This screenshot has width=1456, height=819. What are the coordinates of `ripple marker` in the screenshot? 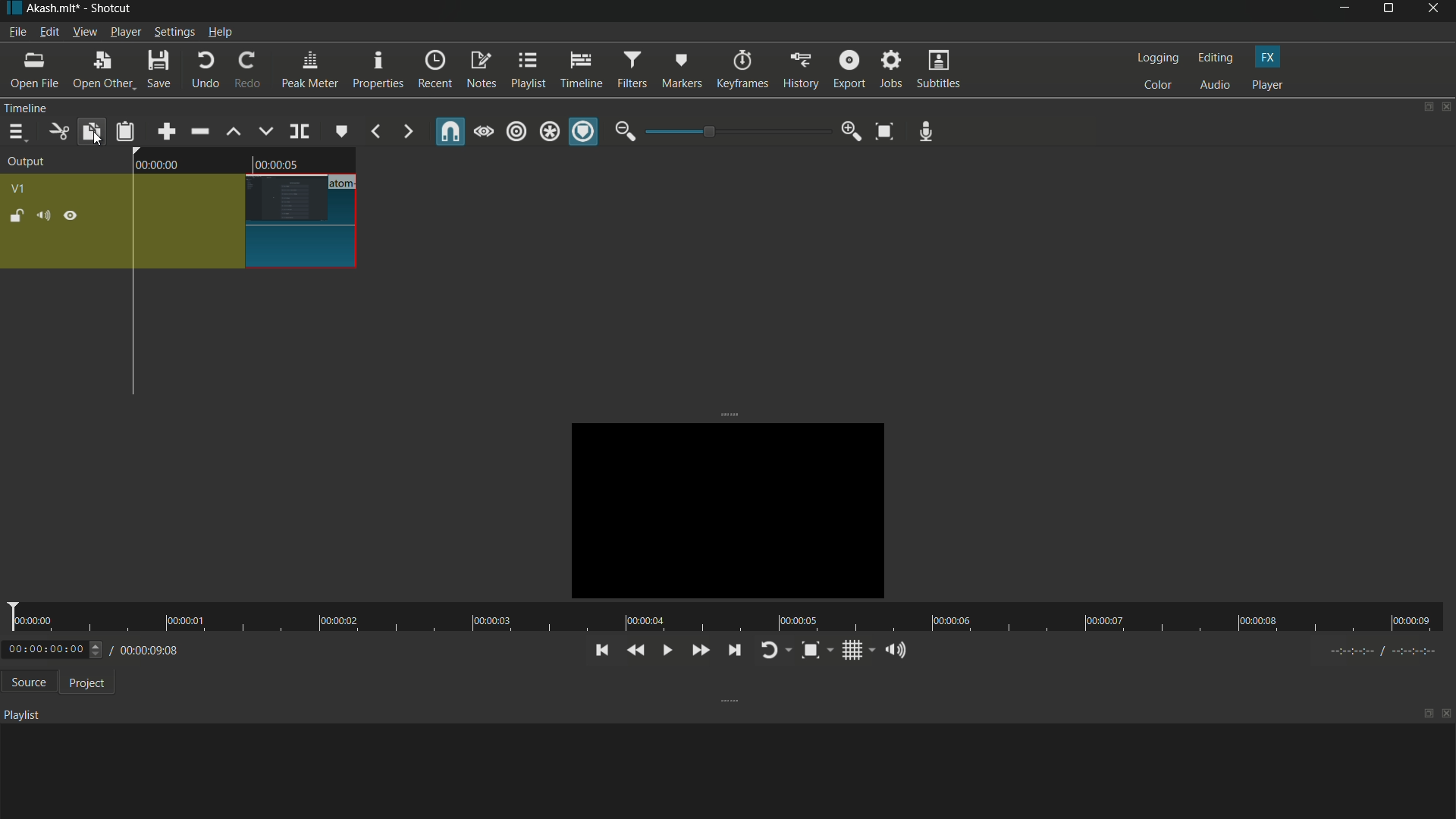 It's located at (583, 132).